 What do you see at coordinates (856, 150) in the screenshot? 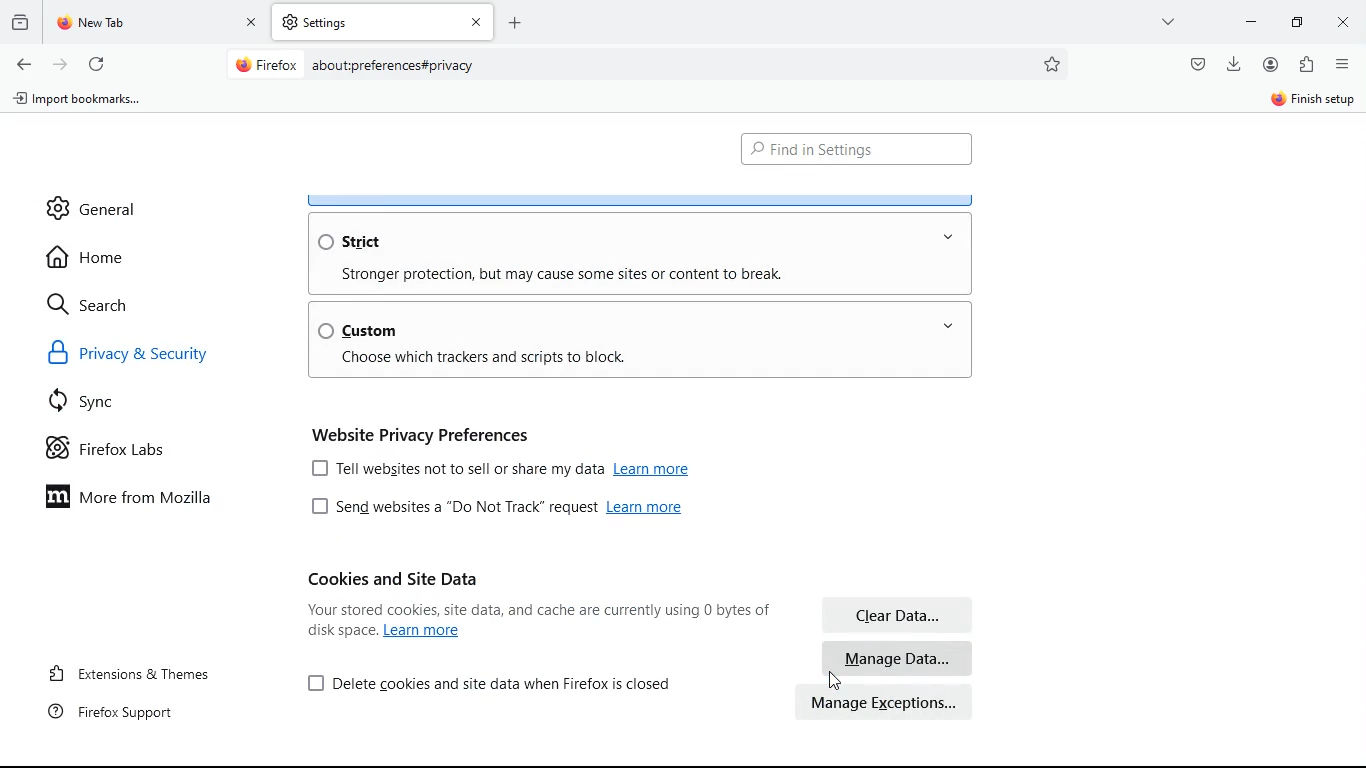
I see `find` at bounding box center [856, 150].